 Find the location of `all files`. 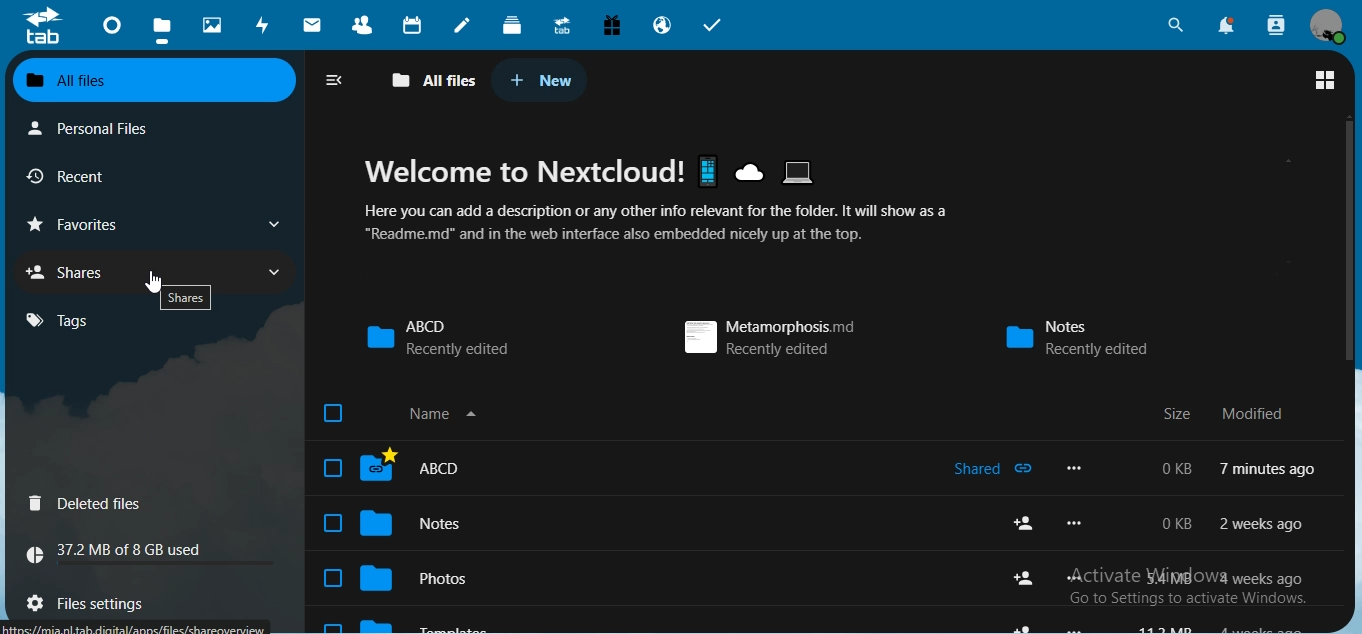

all files is located at coordinates (432, 82).